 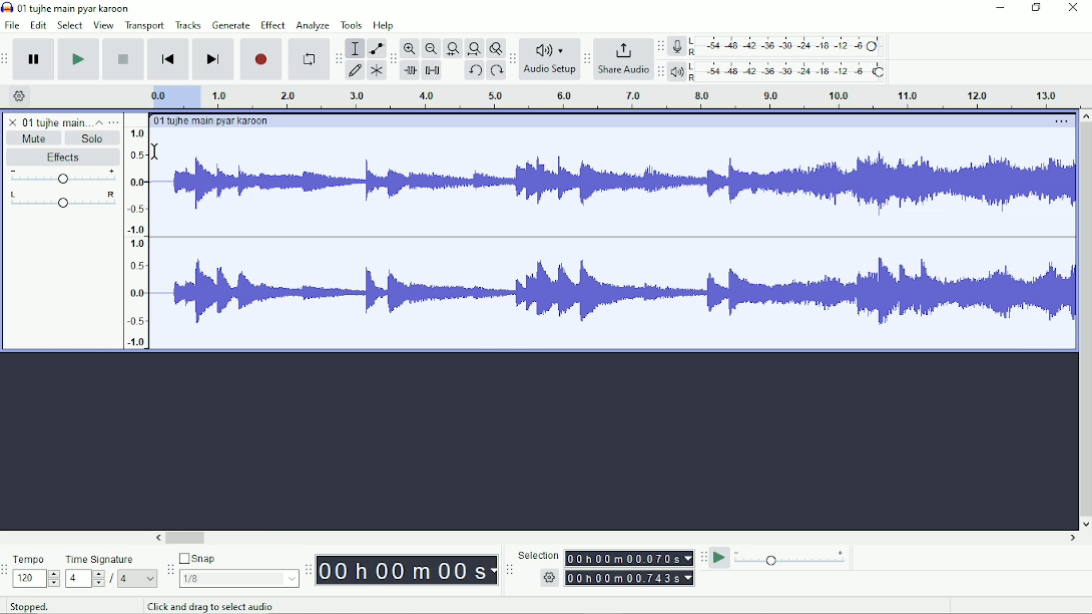 I want to click on Mute, so click(x=35, y=138).